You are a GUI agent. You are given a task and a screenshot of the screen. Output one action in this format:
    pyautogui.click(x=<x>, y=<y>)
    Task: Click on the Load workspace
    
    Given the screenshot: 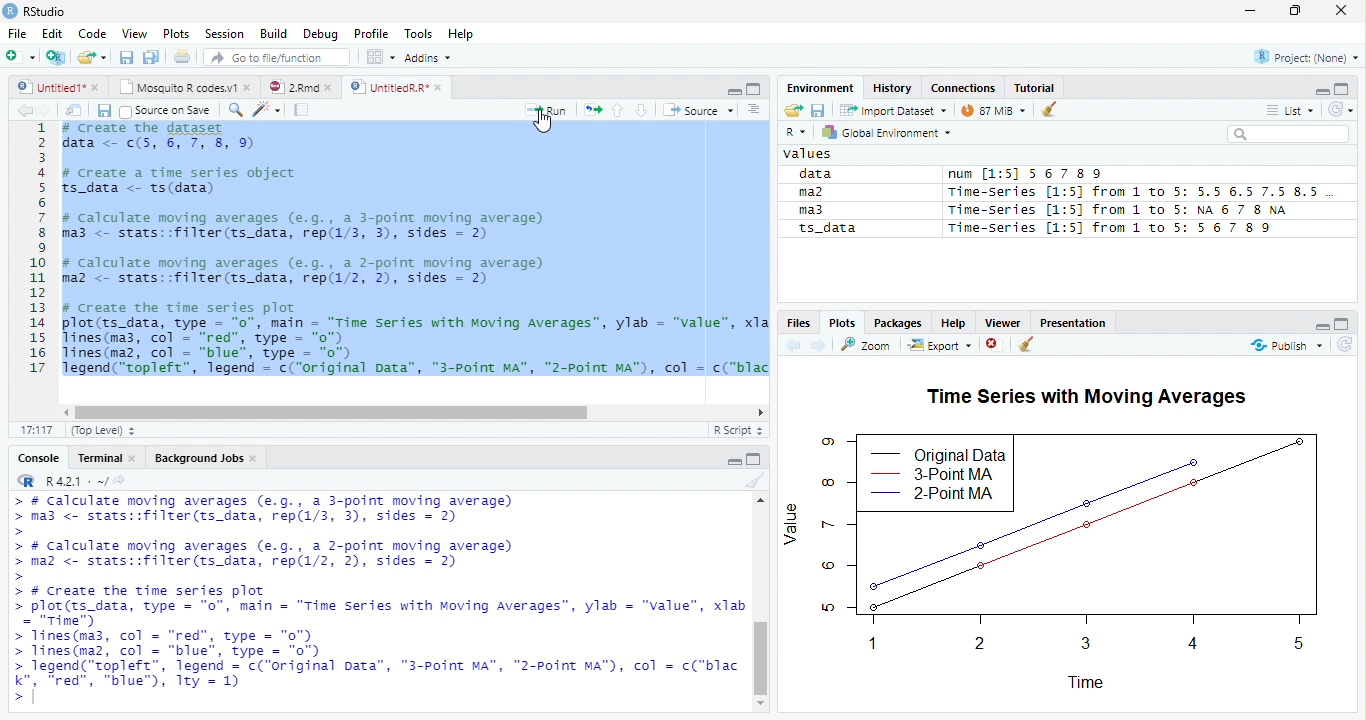 What is the action you would take?
    pyautogui.click(x=793, y=111)
    